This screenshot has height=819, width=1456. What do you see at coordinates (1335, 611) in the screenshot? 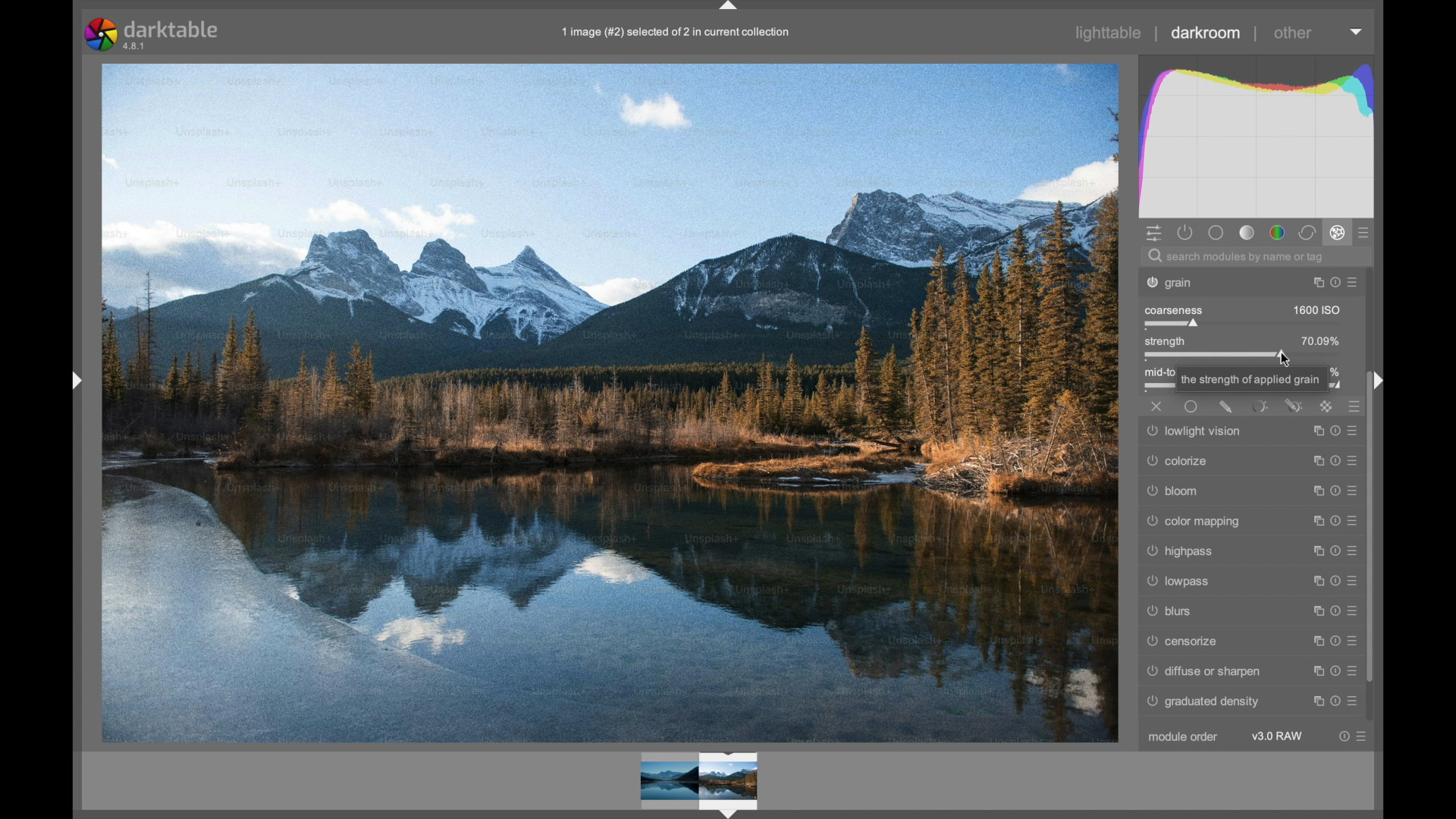
I see `reset parameters` at bounding box center [1335, 611].